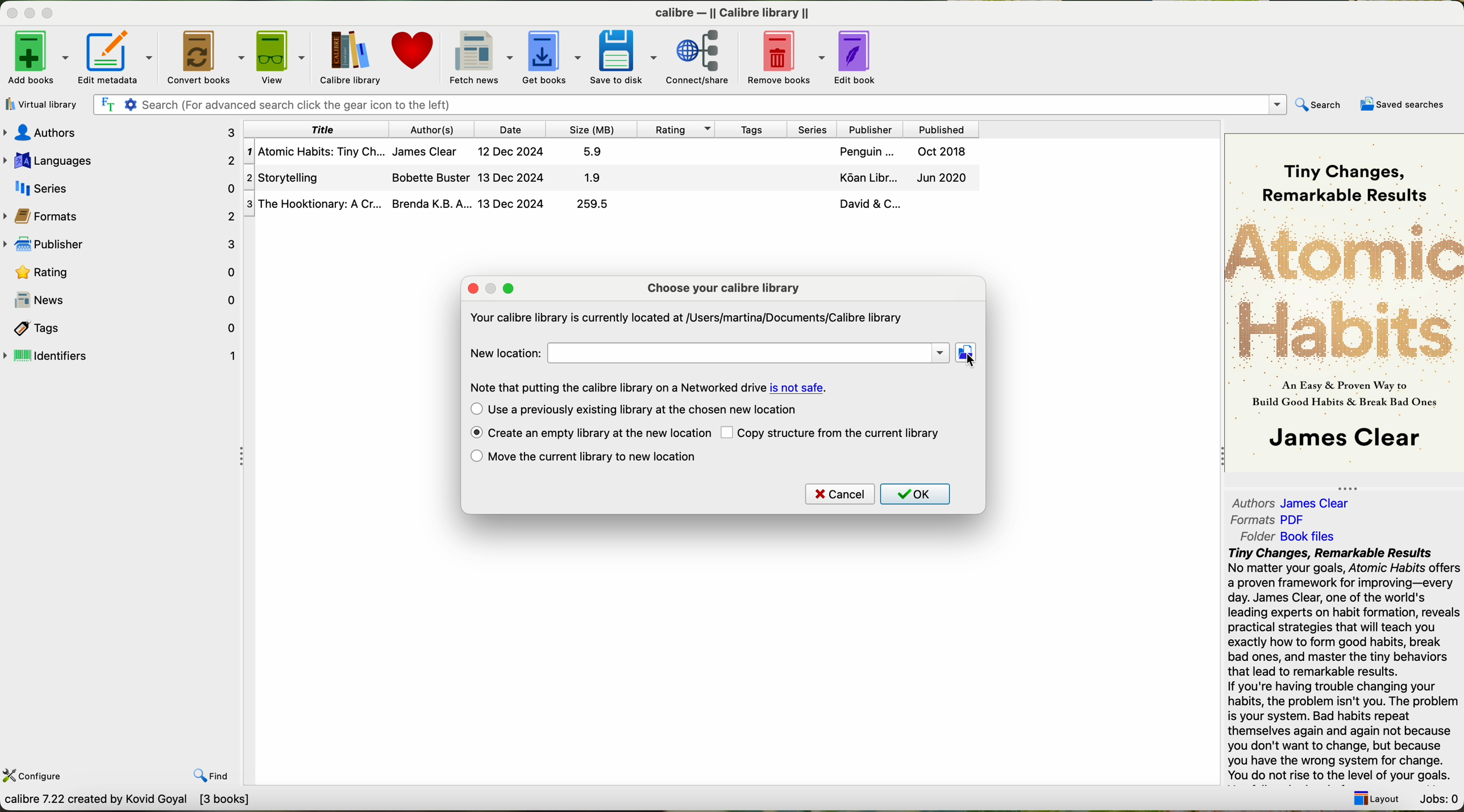 Image resolution: width=1464 pixels, height=812 pixels. What do you see at coordinates (809, 128) in the screenshot?
I see `series` at bounding box center [809, 128].